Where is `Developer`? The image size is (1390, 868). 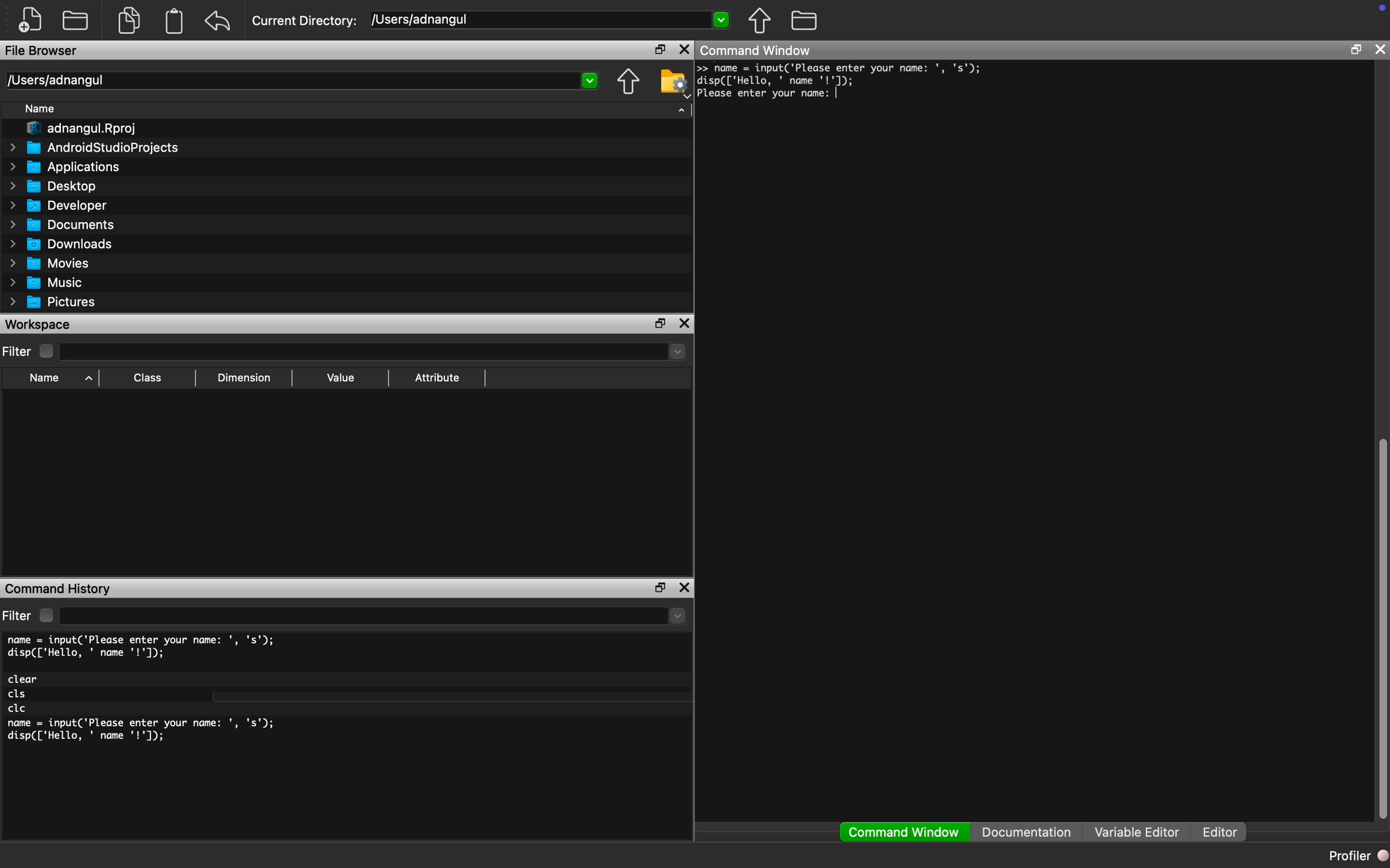
Developer is located at coordinates (56, 206).